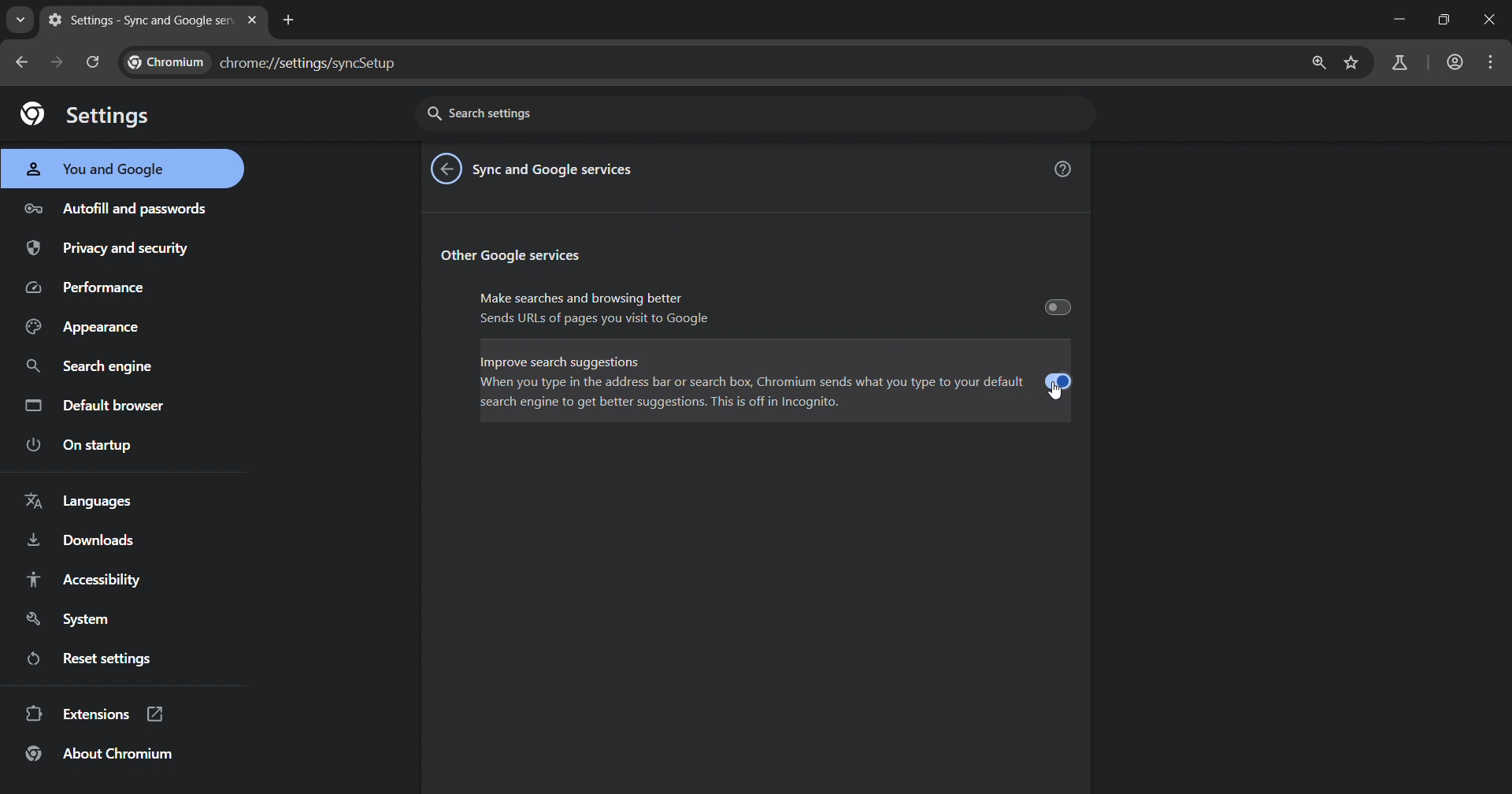 The width and height of the screenshot is (1512, 794). Describe the element at coordinates (88, 288) in the screenshot. I see `performance ` at that location.